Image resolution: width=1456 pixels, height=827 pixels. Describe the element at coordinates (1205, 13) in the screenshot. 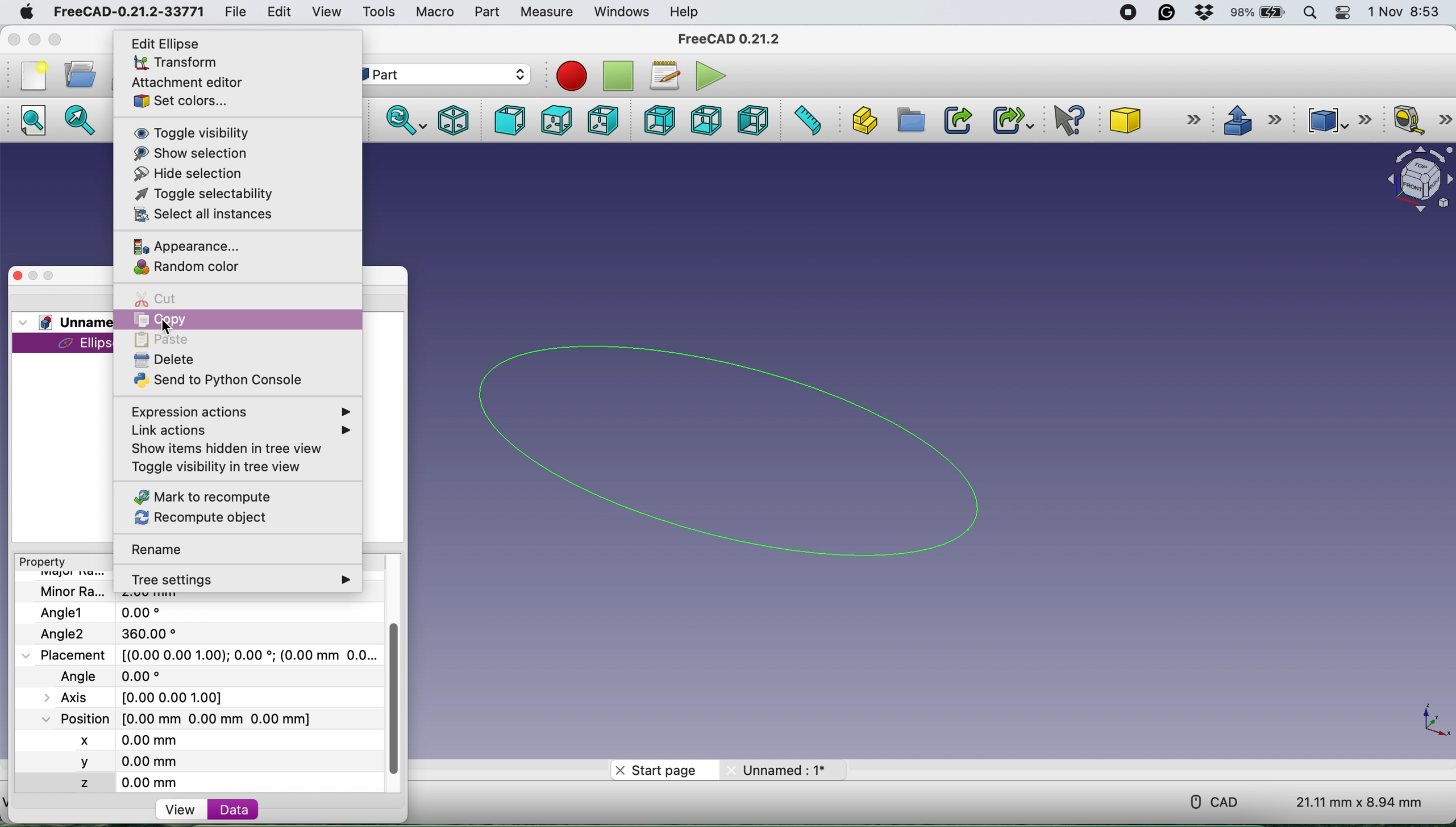

I see `dropbox` at that location.